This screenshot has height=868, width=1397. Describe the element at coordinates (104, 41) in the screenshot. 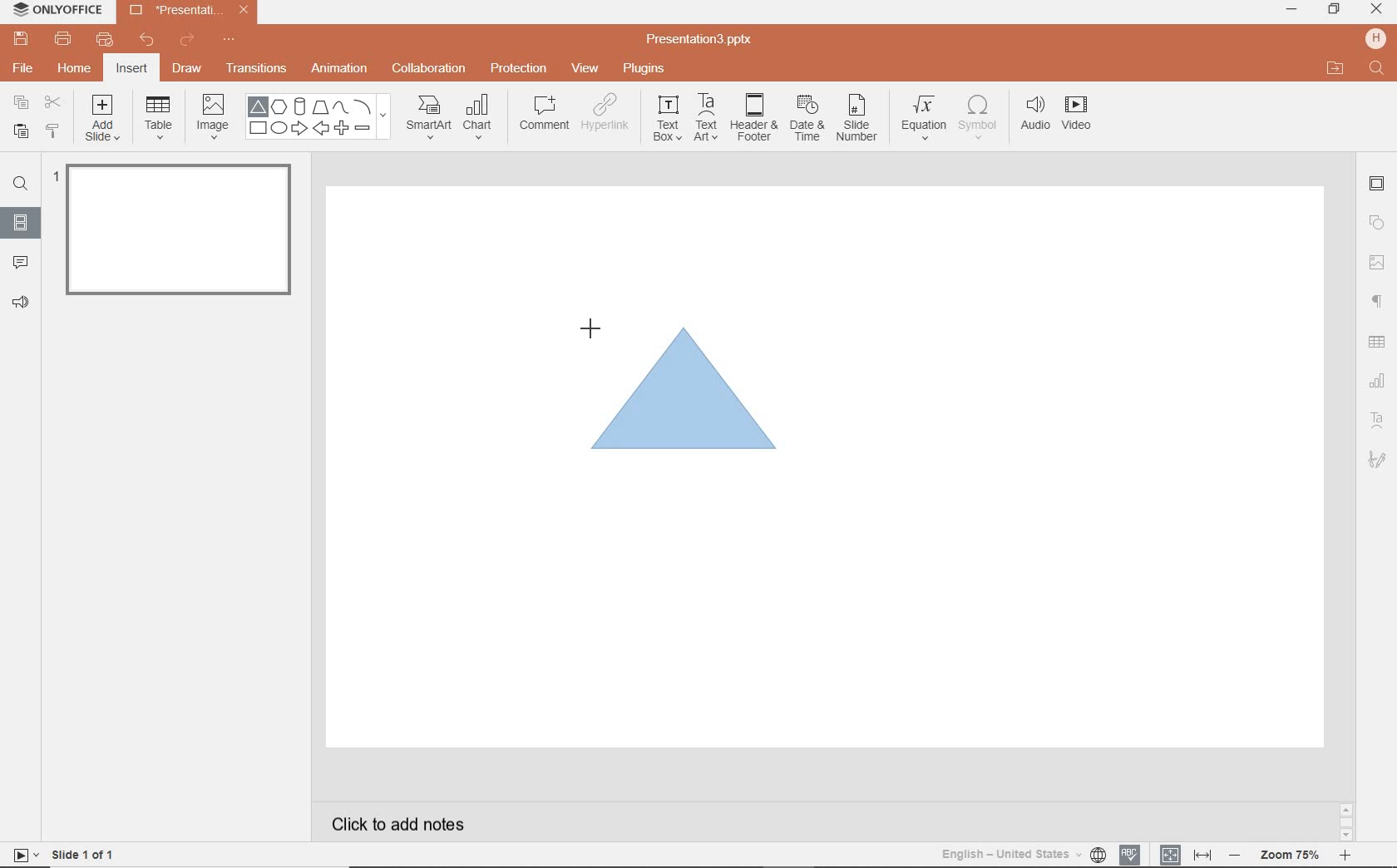

I see `QUICK PRINT` at that location.